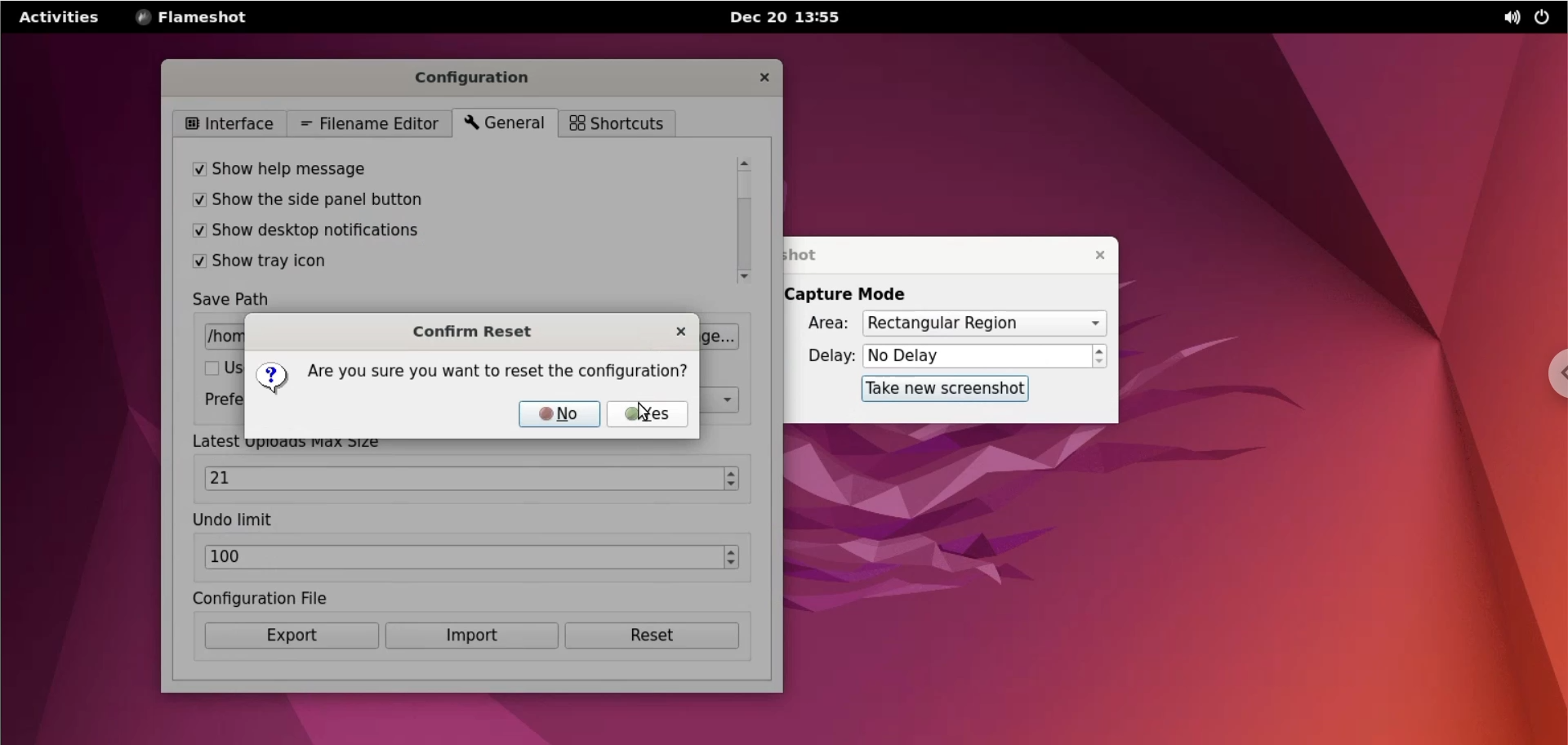 This screenshot has width=1568, height=745. What do you see at coordinates (448, 262) in the screenshot?
I see `show tray icon ` at bounding box center [448, 262].